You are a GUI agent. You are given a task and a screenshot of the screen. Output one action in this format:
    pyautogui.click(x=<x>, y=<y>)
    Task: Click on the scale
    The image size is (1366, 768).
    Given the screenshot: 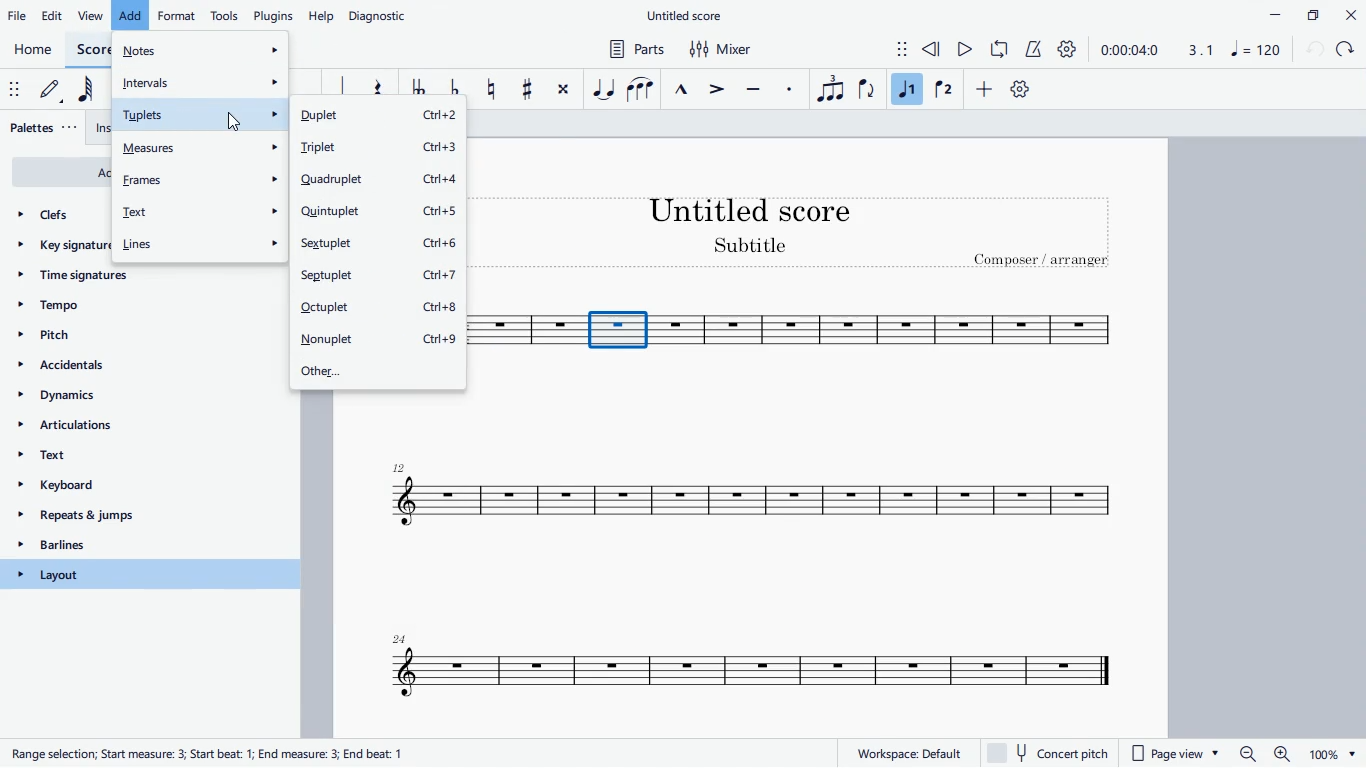 What is the action you would take?
    pyautogui.click(x=1228, y=49)
    